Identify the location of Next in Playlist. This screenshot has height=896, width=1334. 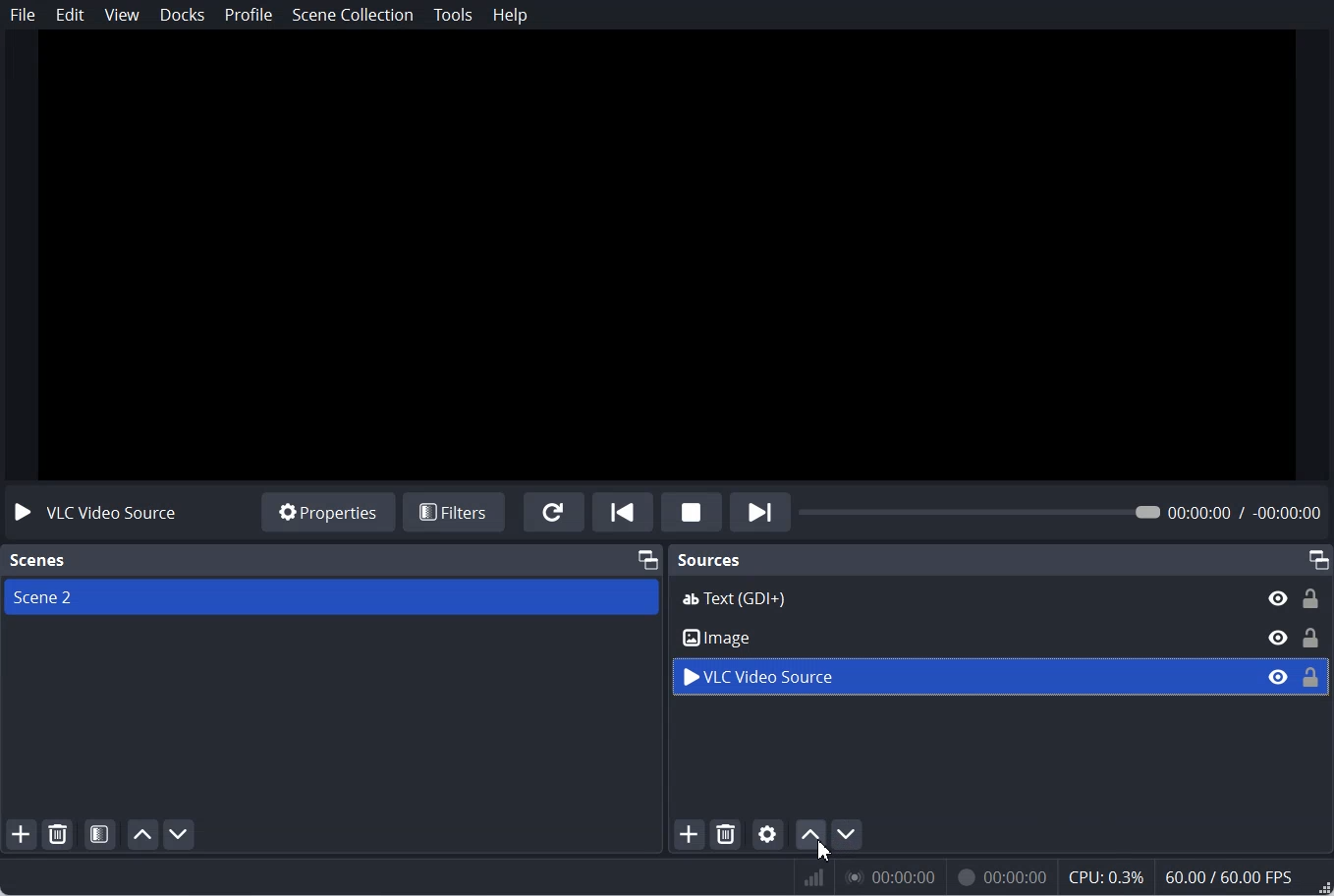
(760, 511).